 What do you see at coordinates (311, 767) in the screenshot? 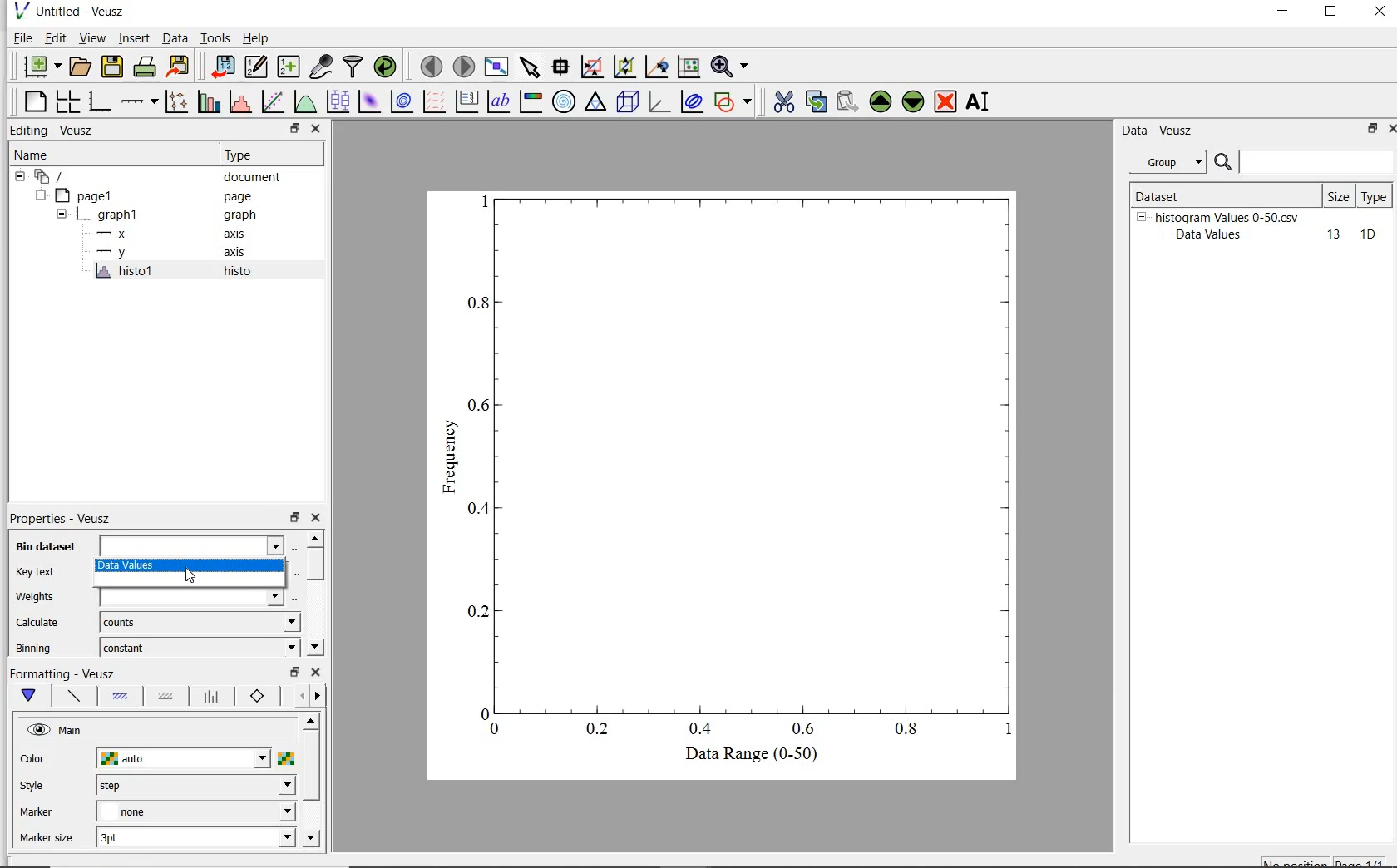
I see `vertical scrollbar` at bounding box center [311, 767].